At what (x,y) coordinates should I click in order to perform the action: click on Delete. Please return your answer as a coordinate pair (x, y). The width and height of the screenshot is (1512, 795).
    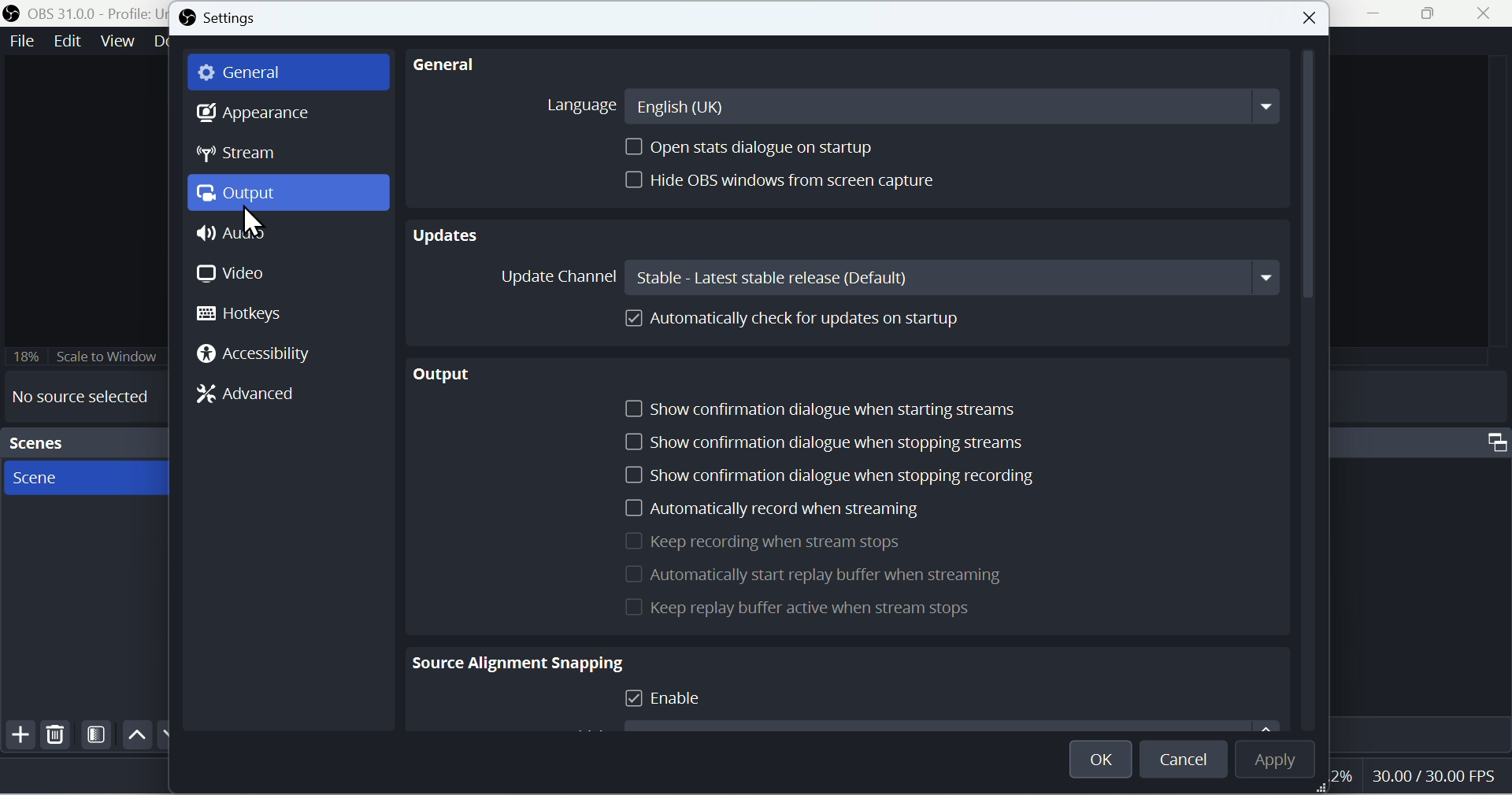
    Looking at the image, I should click on (56, 738).